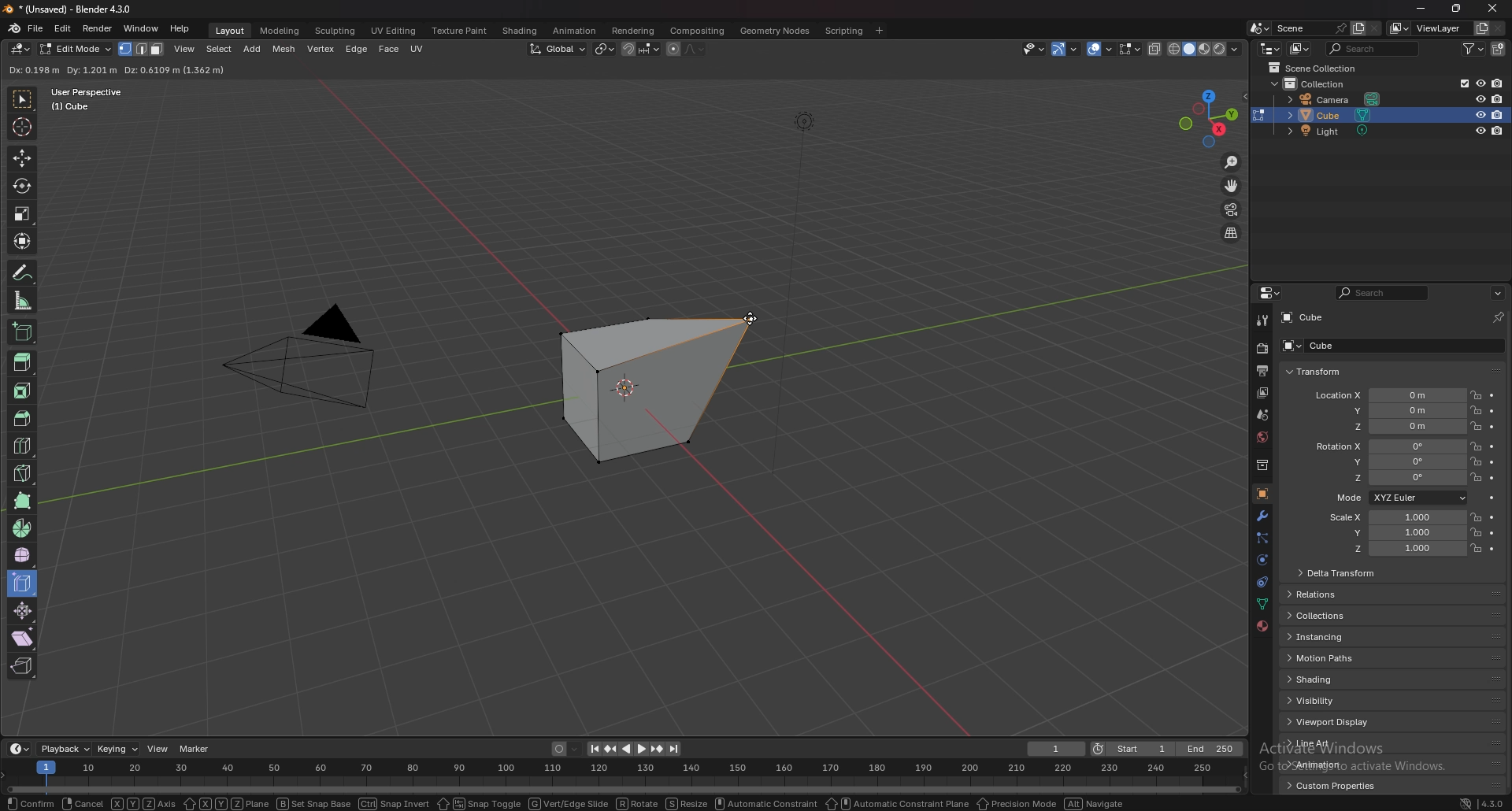 Image resolution: width=1512 pixels, height=811 pixels. Describe the element at coordinates (75, 9) in the screenshot. I see `title` at that location.